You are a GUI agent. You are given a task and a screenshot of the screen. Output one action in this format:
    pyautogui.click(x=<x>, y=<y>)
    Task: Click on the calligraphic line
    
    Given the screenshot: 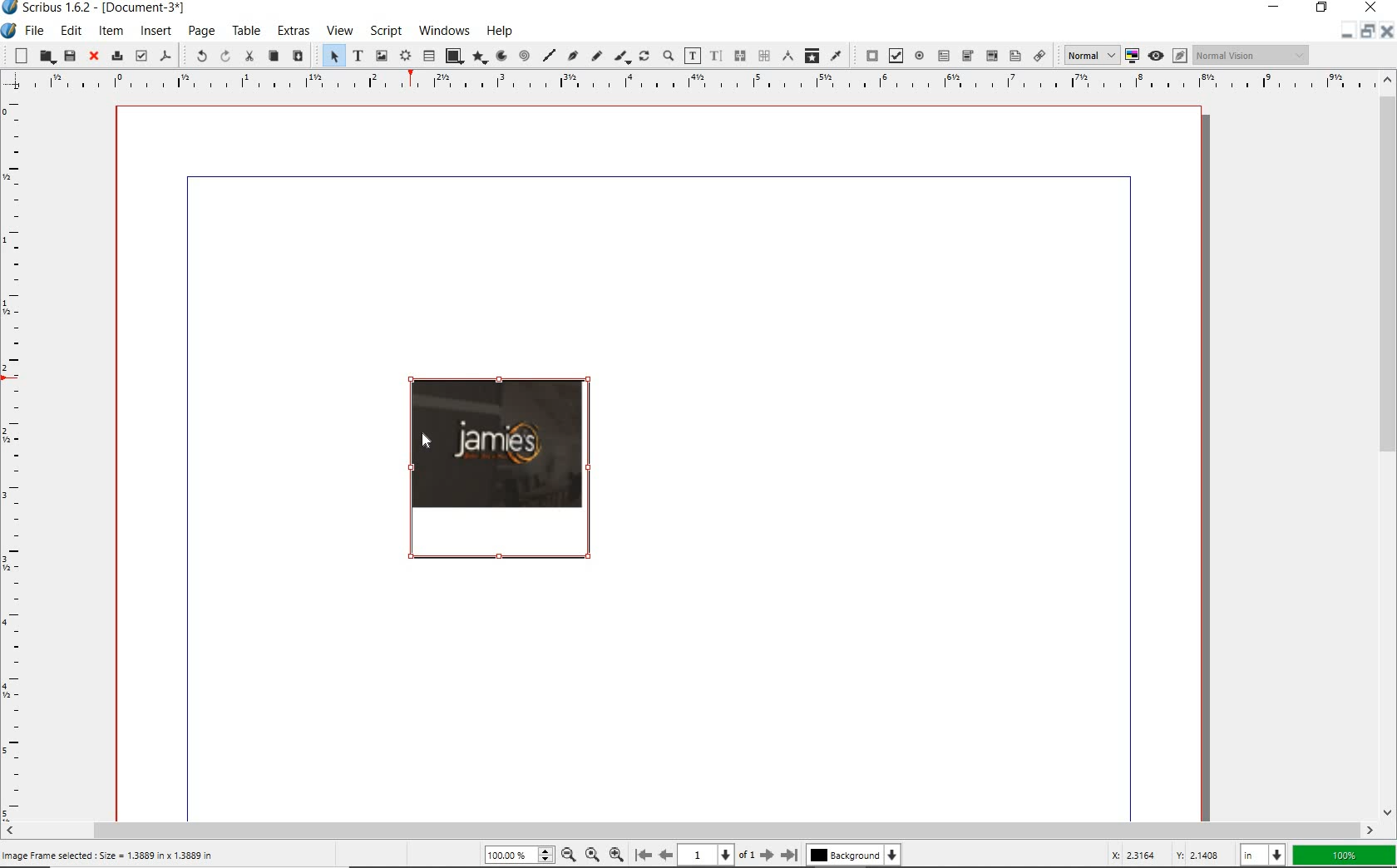 What is the action you would take?
    pyautogui.click(x=621, y=57)
    